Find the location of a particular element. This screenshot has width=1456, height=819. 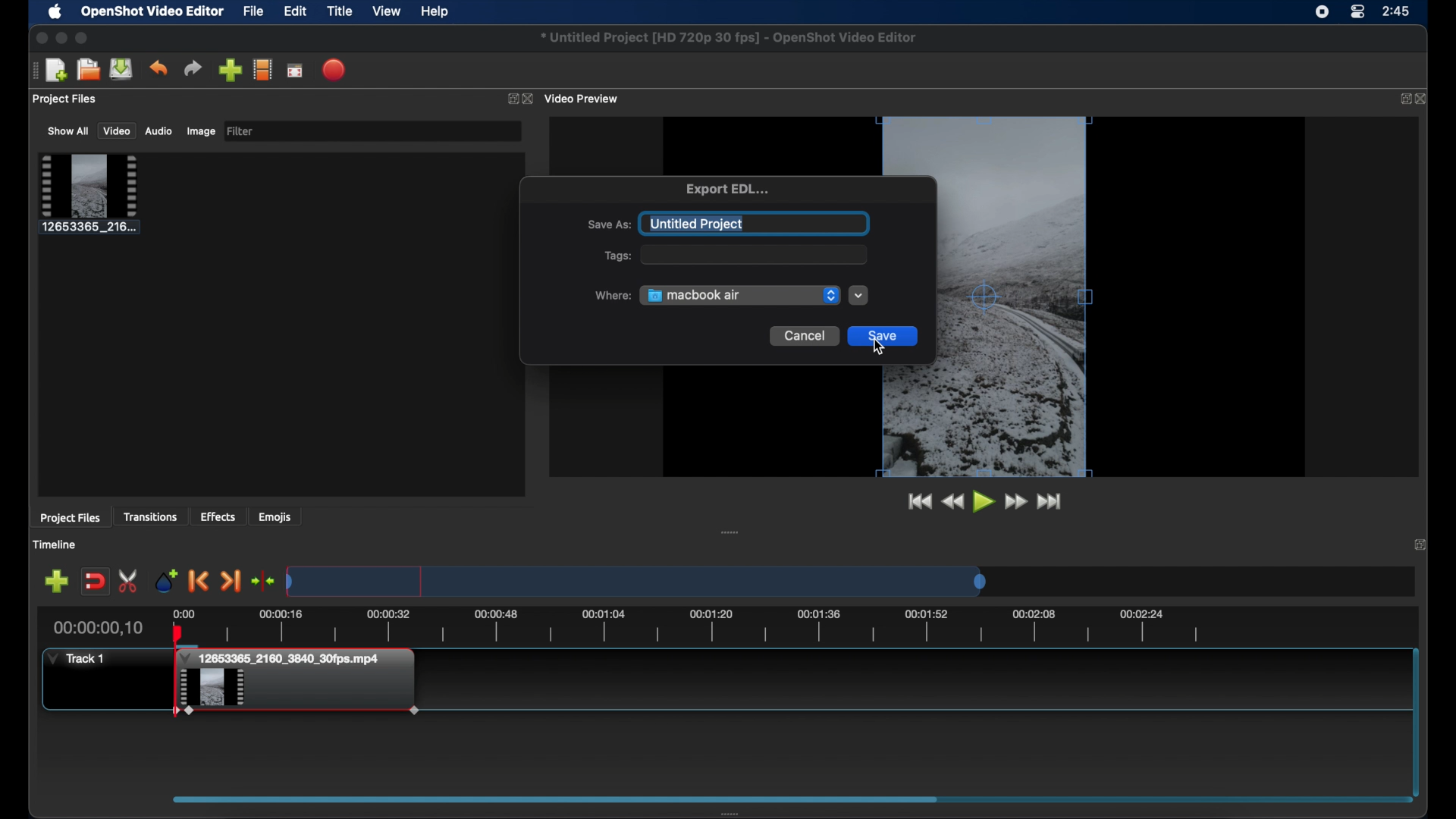

save project is located at coordinates (122, 69).